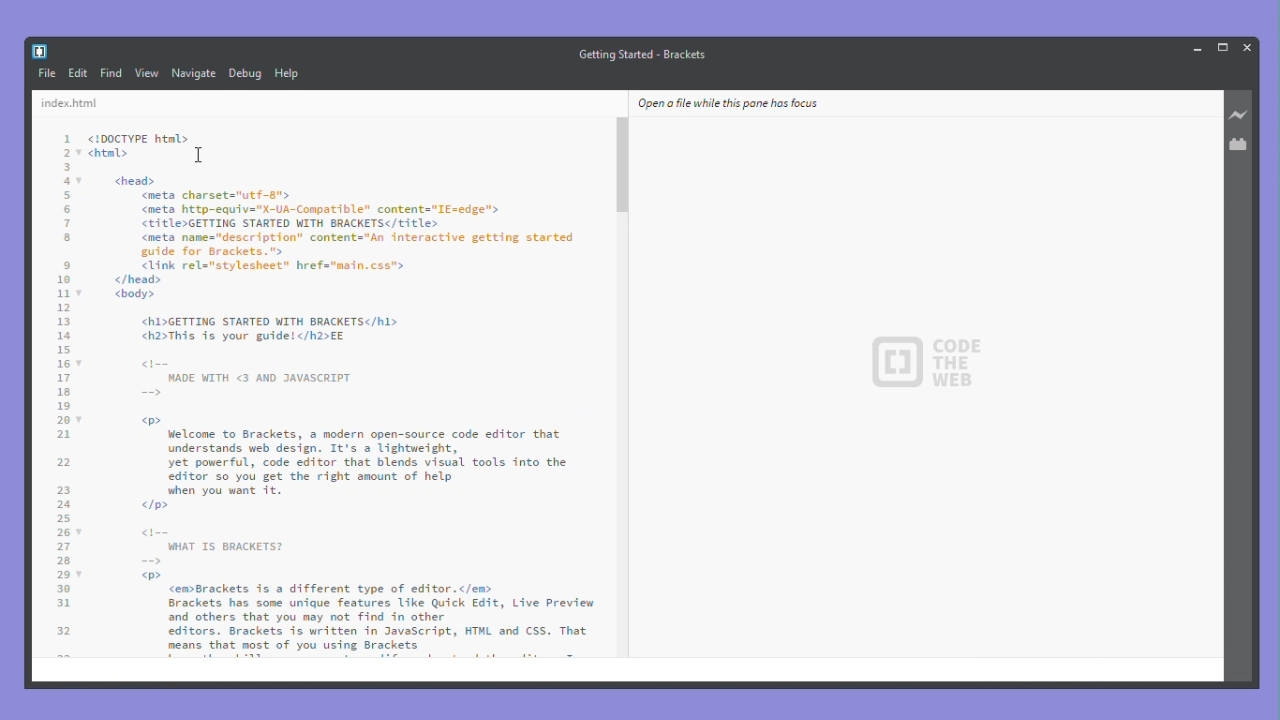 This screenshot has width=1280, height=720. Describe the element at coordinates (63, 492) in the screenshot. I see `23` at that location.